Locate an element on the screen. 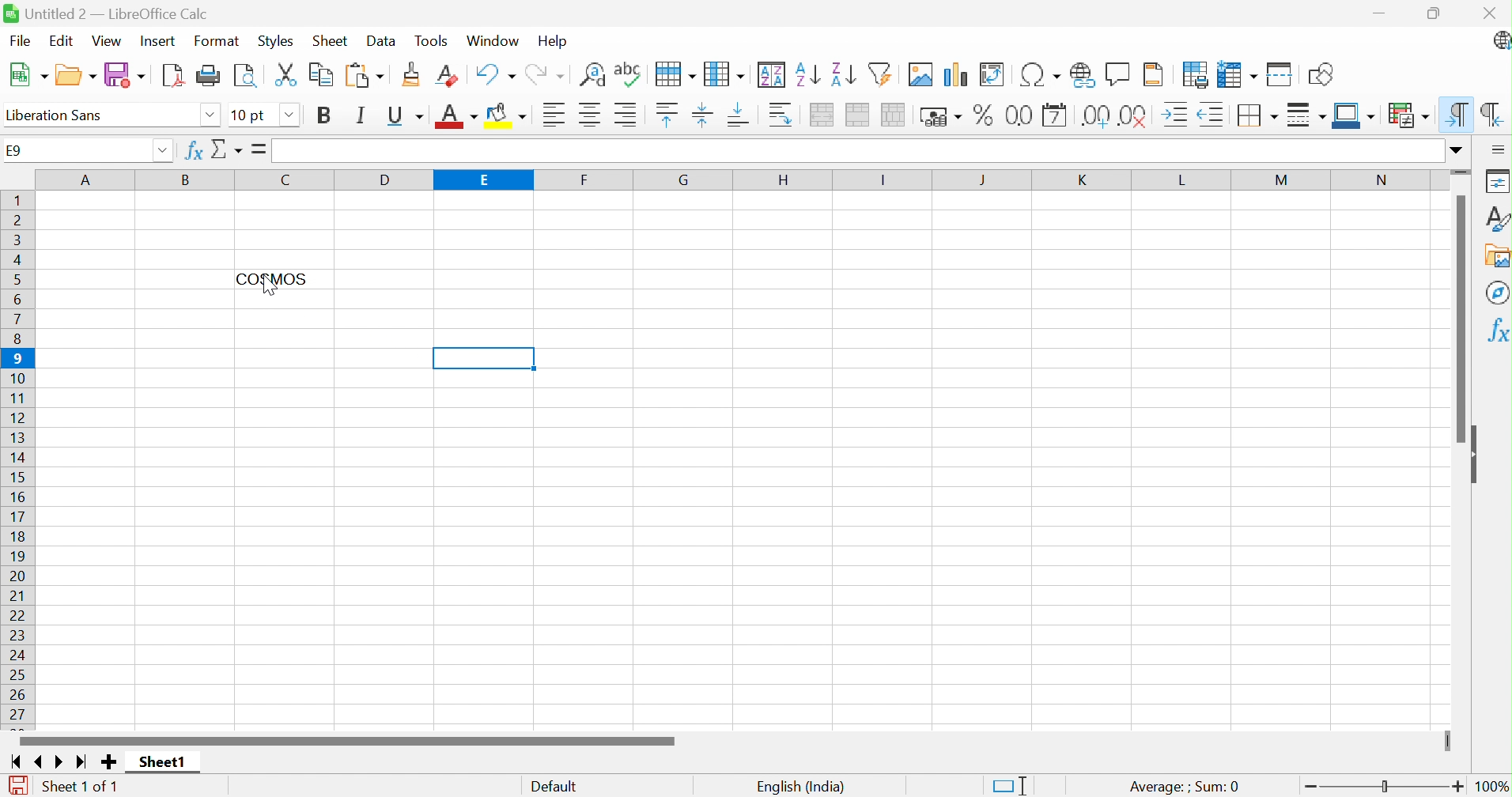 This screenshot has width=1512, height=797. Format as number is located at coordinates (1018, 117).